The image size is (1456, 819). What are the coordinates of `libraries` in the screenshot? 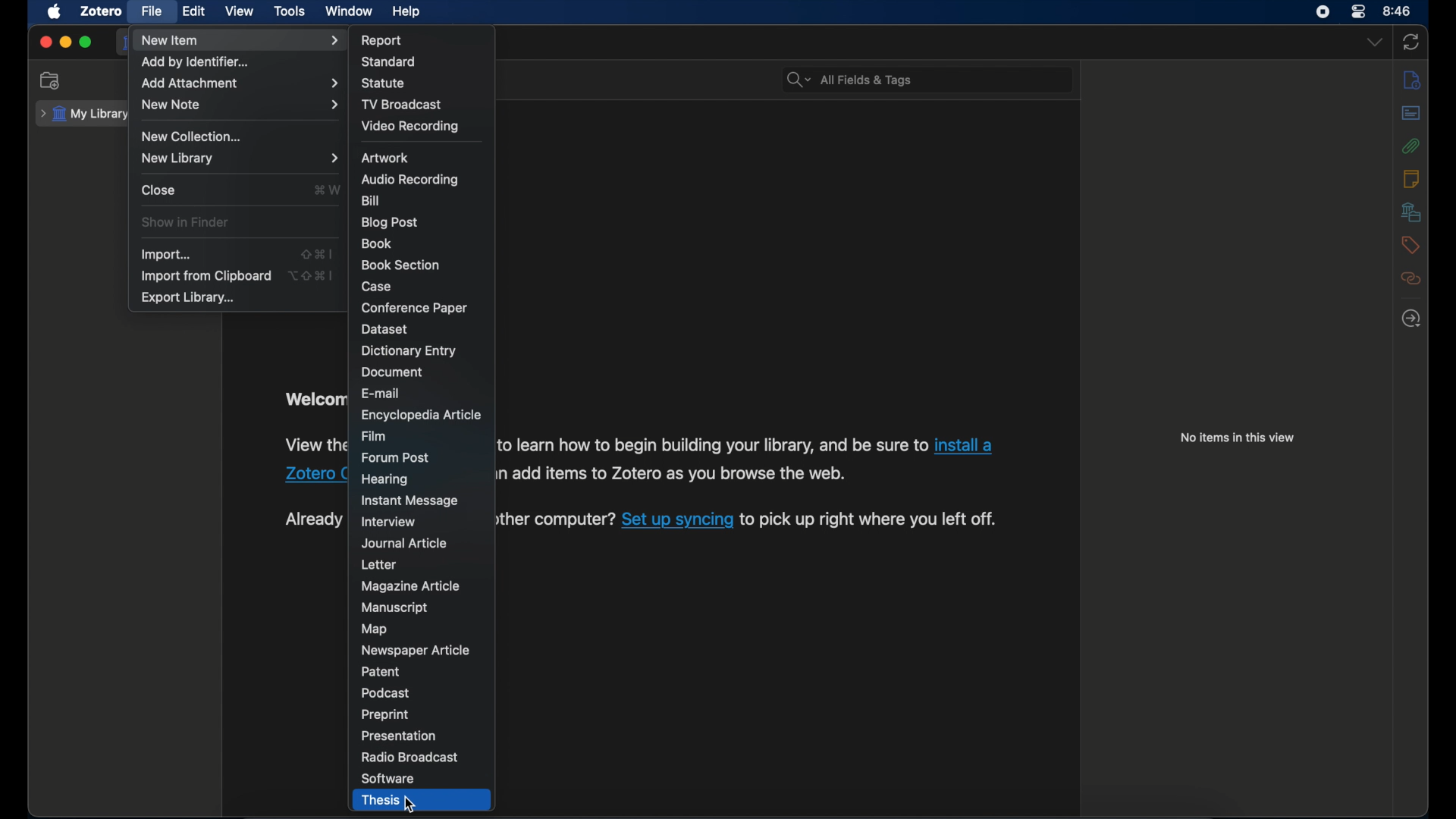 It's located at (1412, 212).